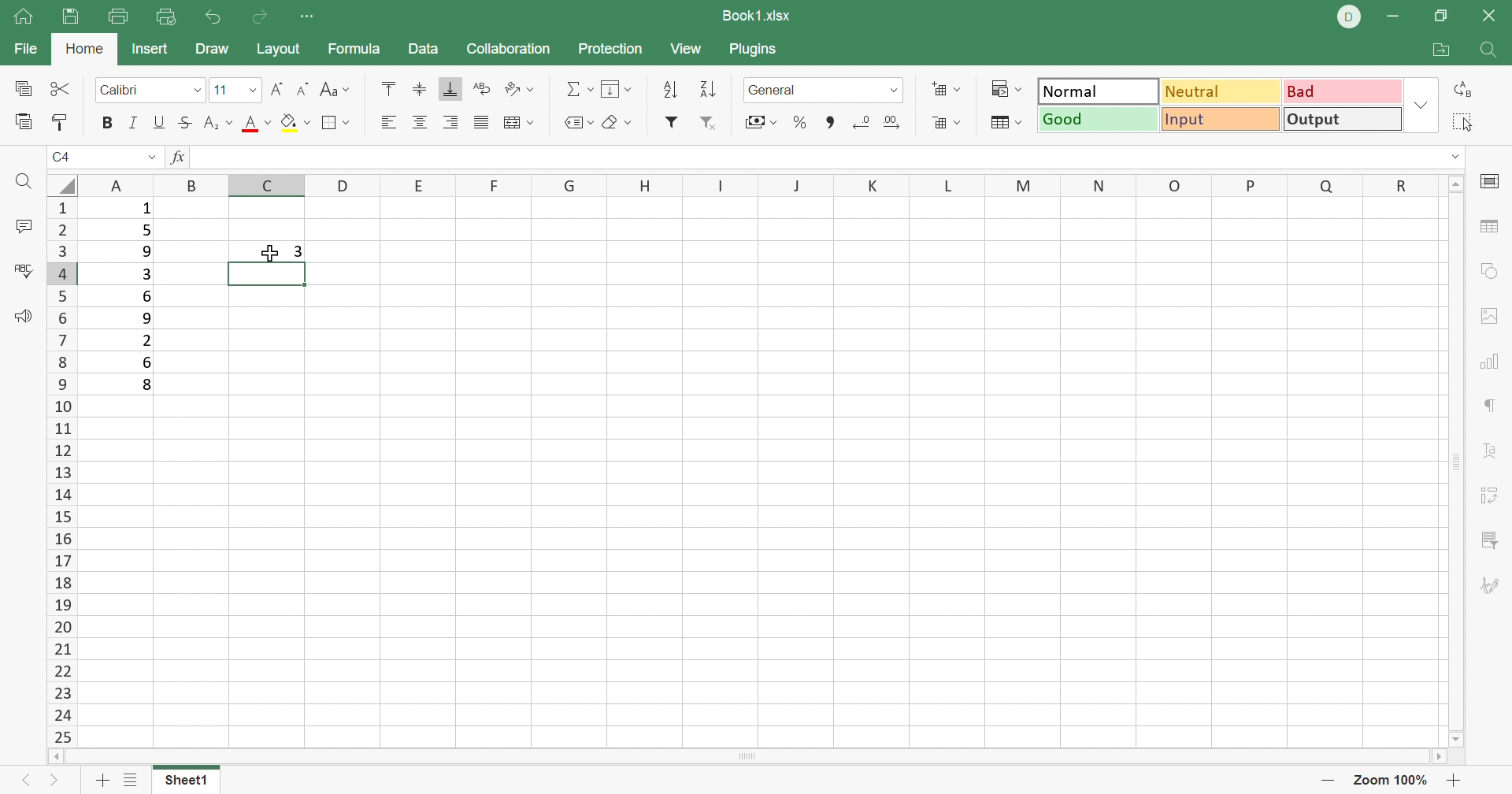  I want to click on Formula, so click(352, 49).